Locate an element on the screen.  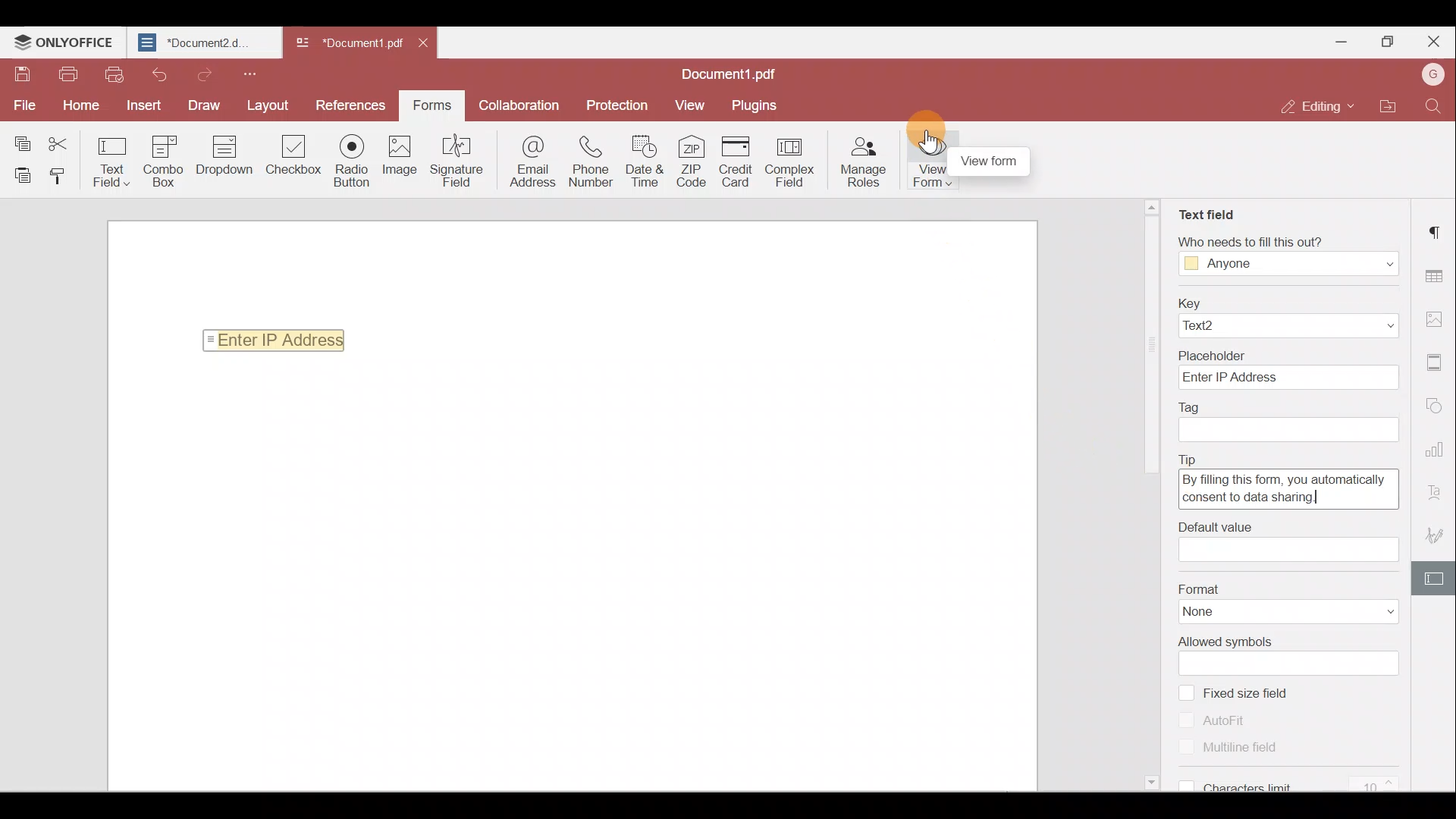
Default value field is located at coordinates (1290, 551).